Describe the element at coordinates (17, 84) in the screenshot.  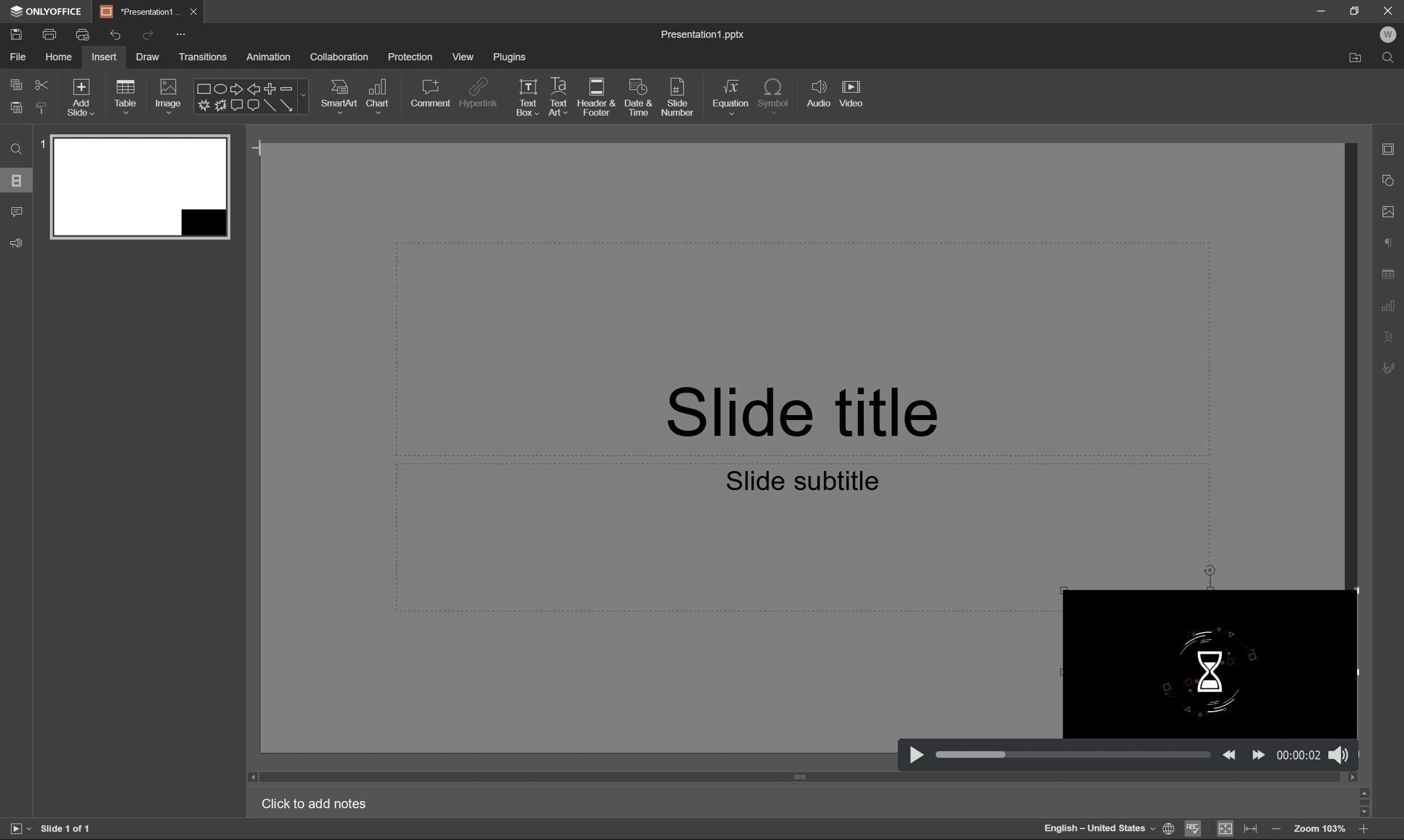
I see `copy` at that location.